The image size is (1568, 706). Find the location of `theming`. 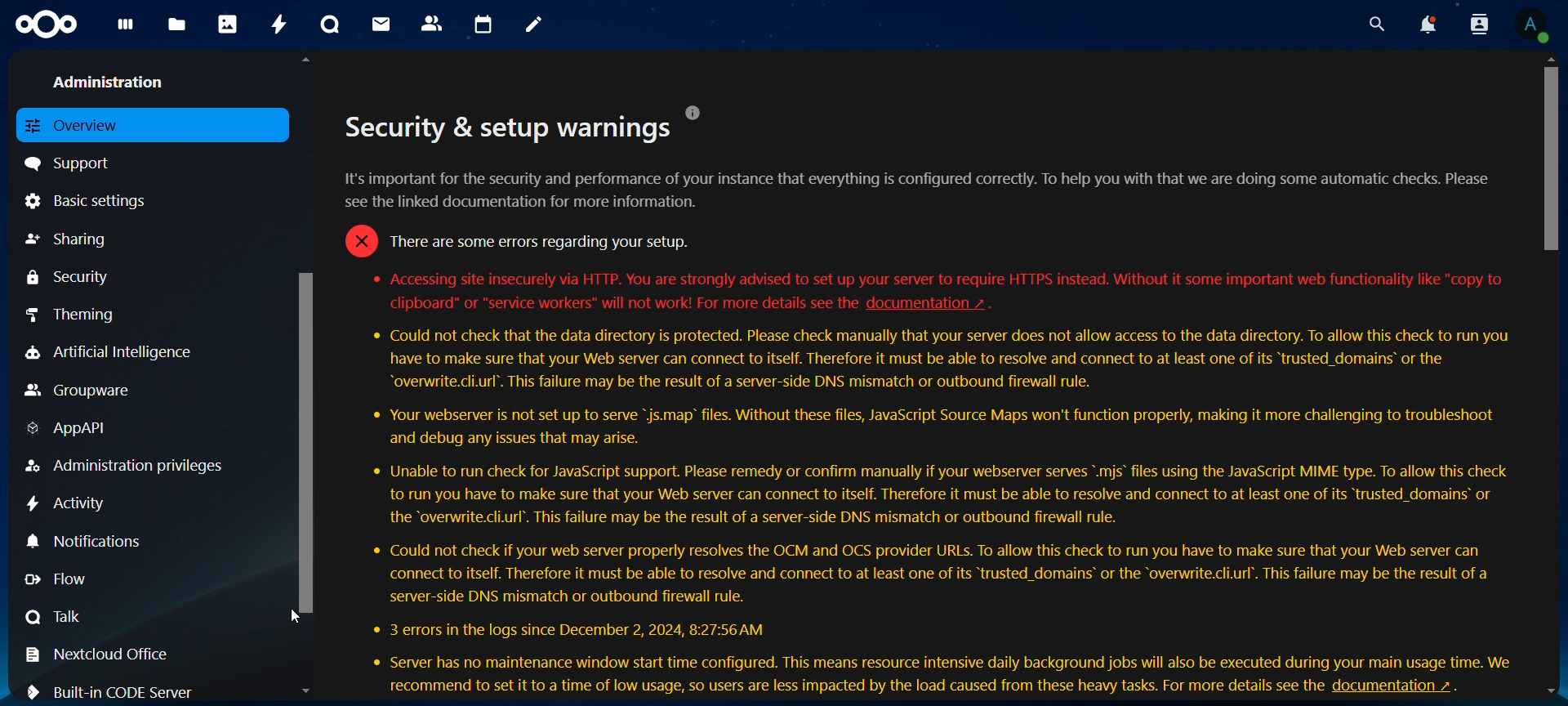

theming is located at coordinates (84, 314).